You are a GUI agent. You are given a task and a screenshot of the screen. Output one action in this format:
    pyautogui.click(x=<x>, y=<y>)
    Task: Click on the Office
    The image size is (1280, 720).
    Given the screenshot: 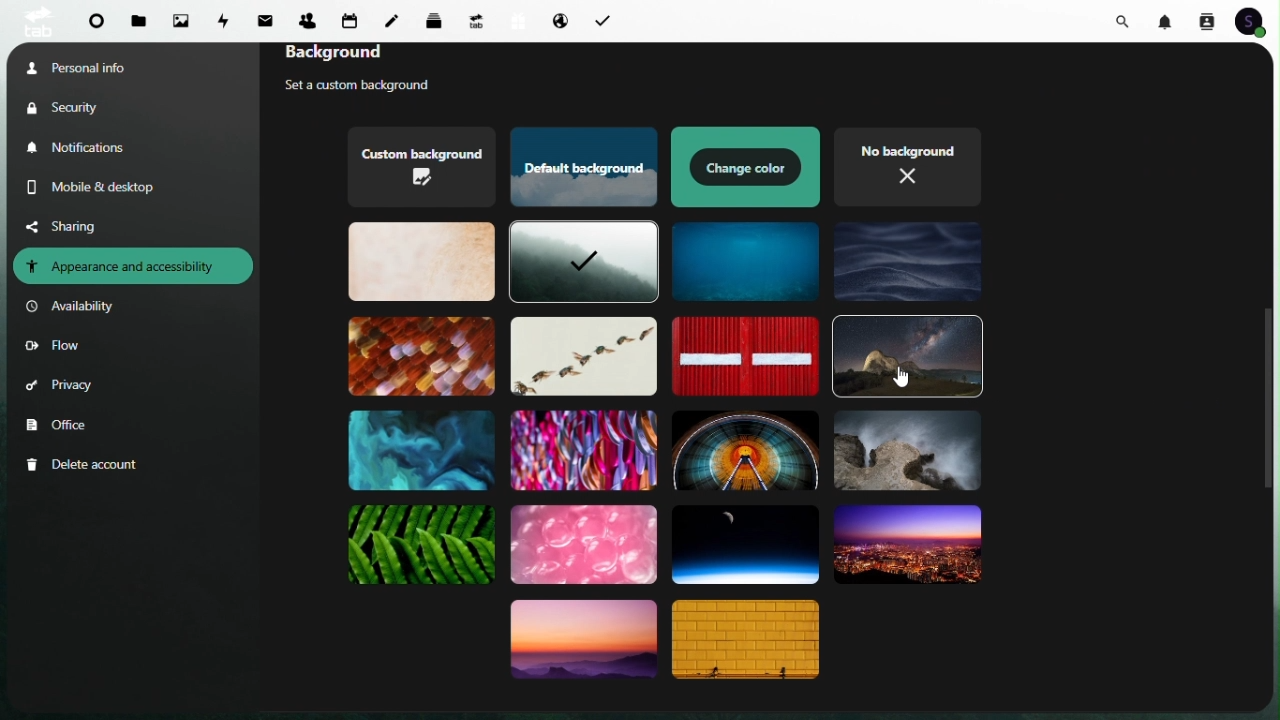 What is the action you would take?
    pyautogui.click(x=61, y=426)
    